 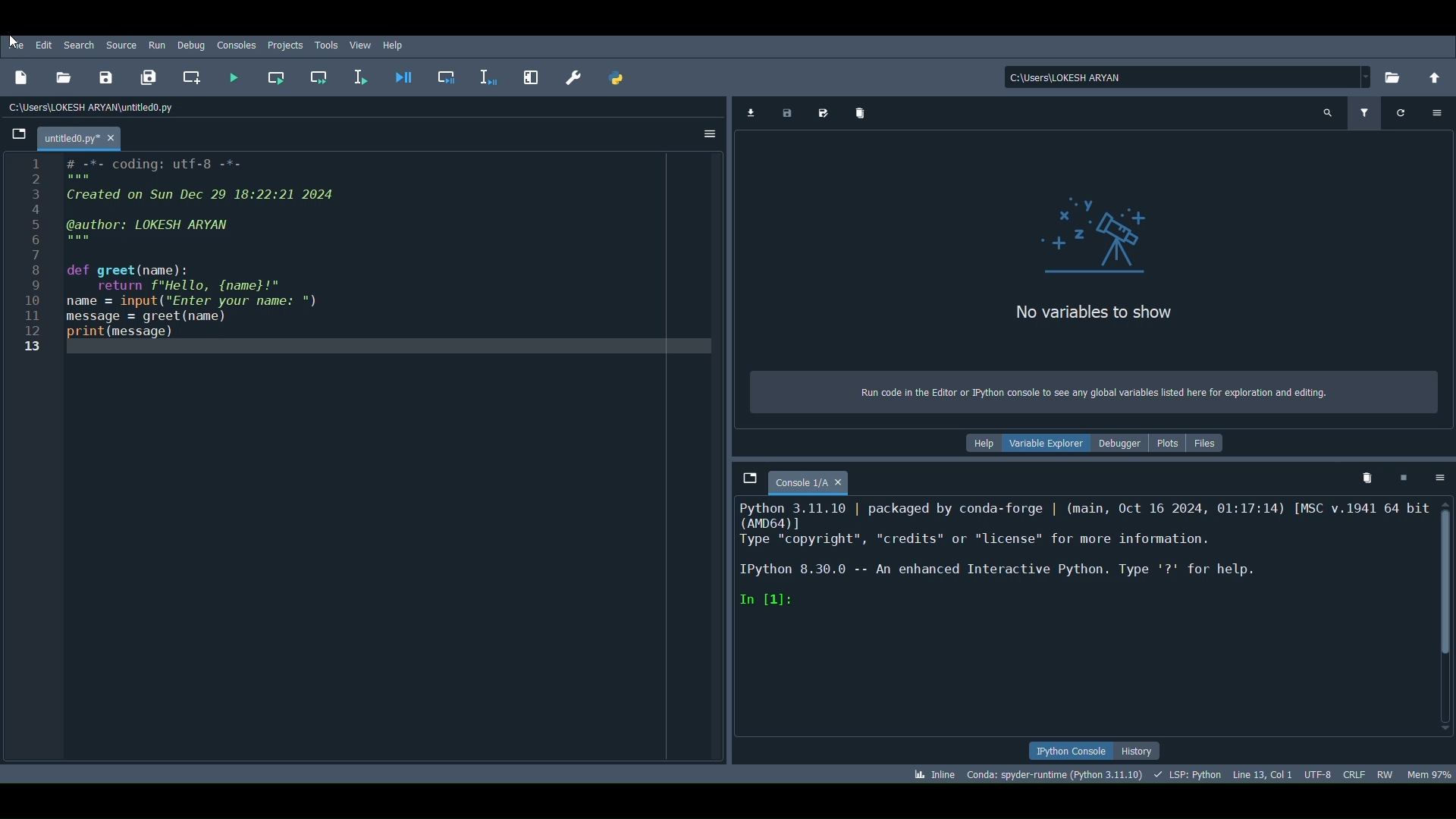 What do you see at coordinates (1080, 616) in the screenshot?
I see `Console` at bounding box center [1080, 616].